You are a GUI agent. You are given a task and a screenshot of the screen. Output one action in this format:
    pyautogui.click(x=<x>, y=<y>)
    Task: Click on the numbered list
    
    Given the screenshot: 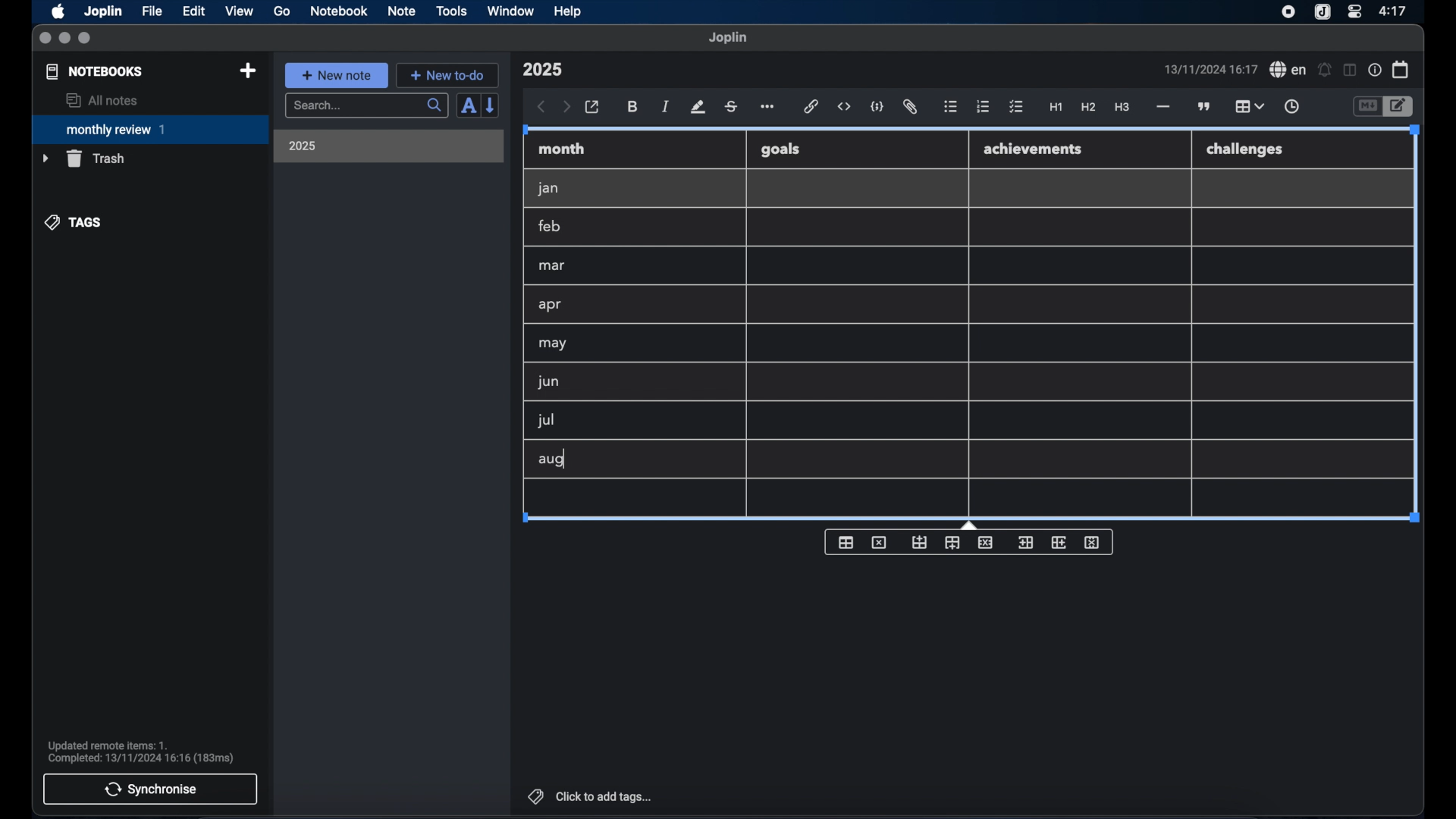 What is the action you would take?
    pyautogui.click(x=983, y=106)
    